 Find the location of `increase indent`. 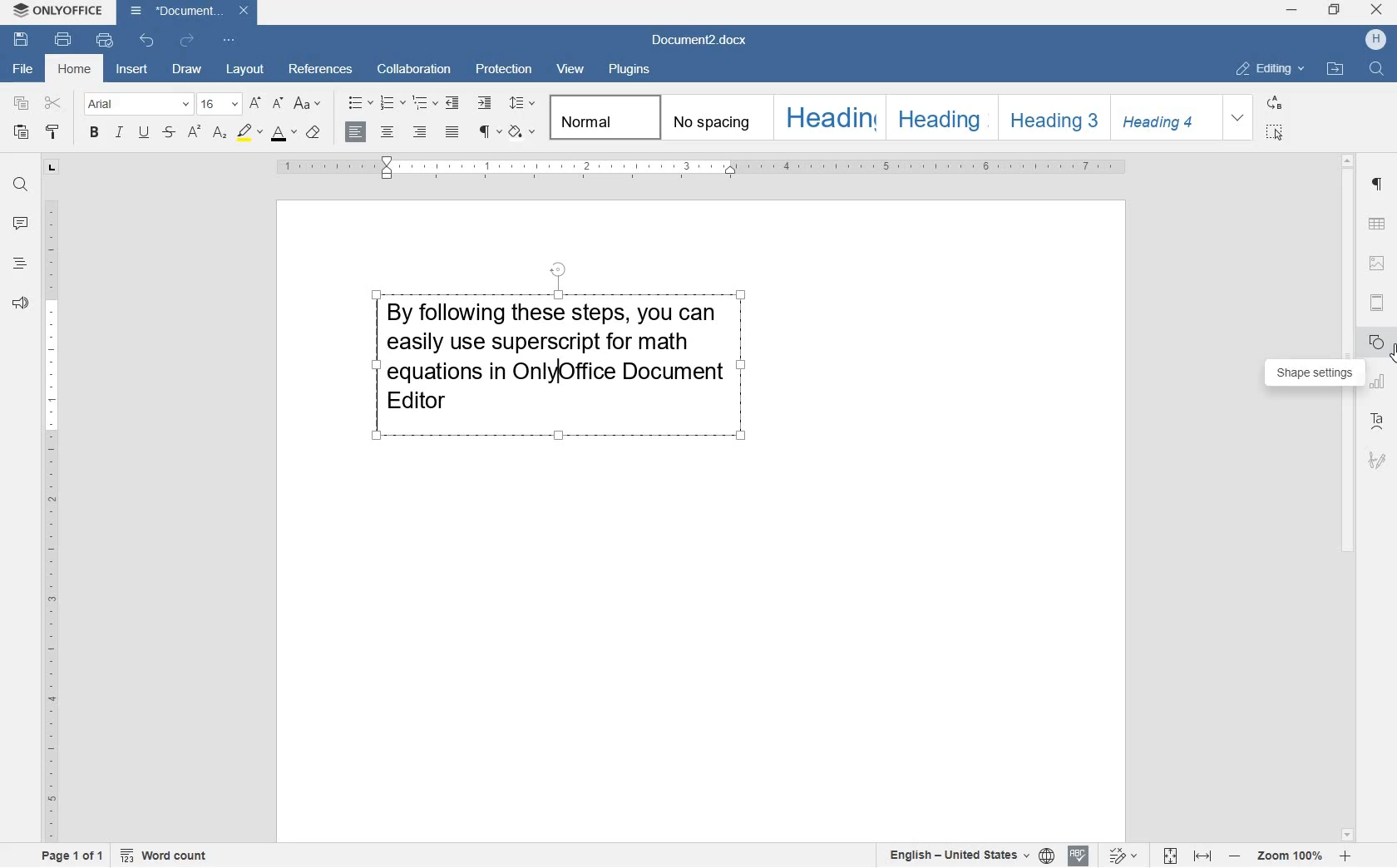

increase indent is located at coordinates (485, 103).